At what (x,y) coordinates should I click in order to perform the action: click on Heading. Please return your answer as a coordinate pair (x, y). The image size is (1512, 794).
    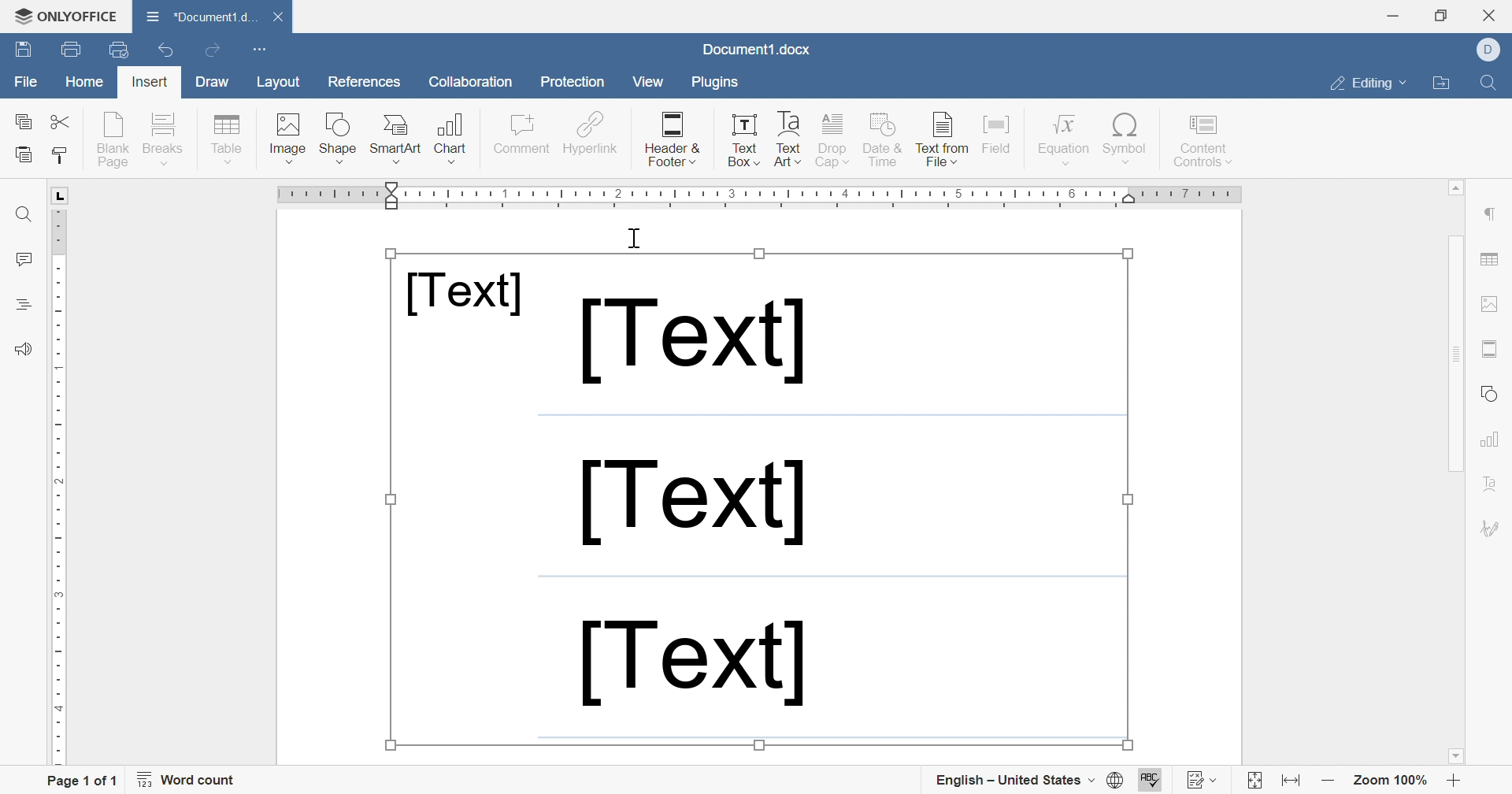
    Looking at the image, I should click on (21, 302).